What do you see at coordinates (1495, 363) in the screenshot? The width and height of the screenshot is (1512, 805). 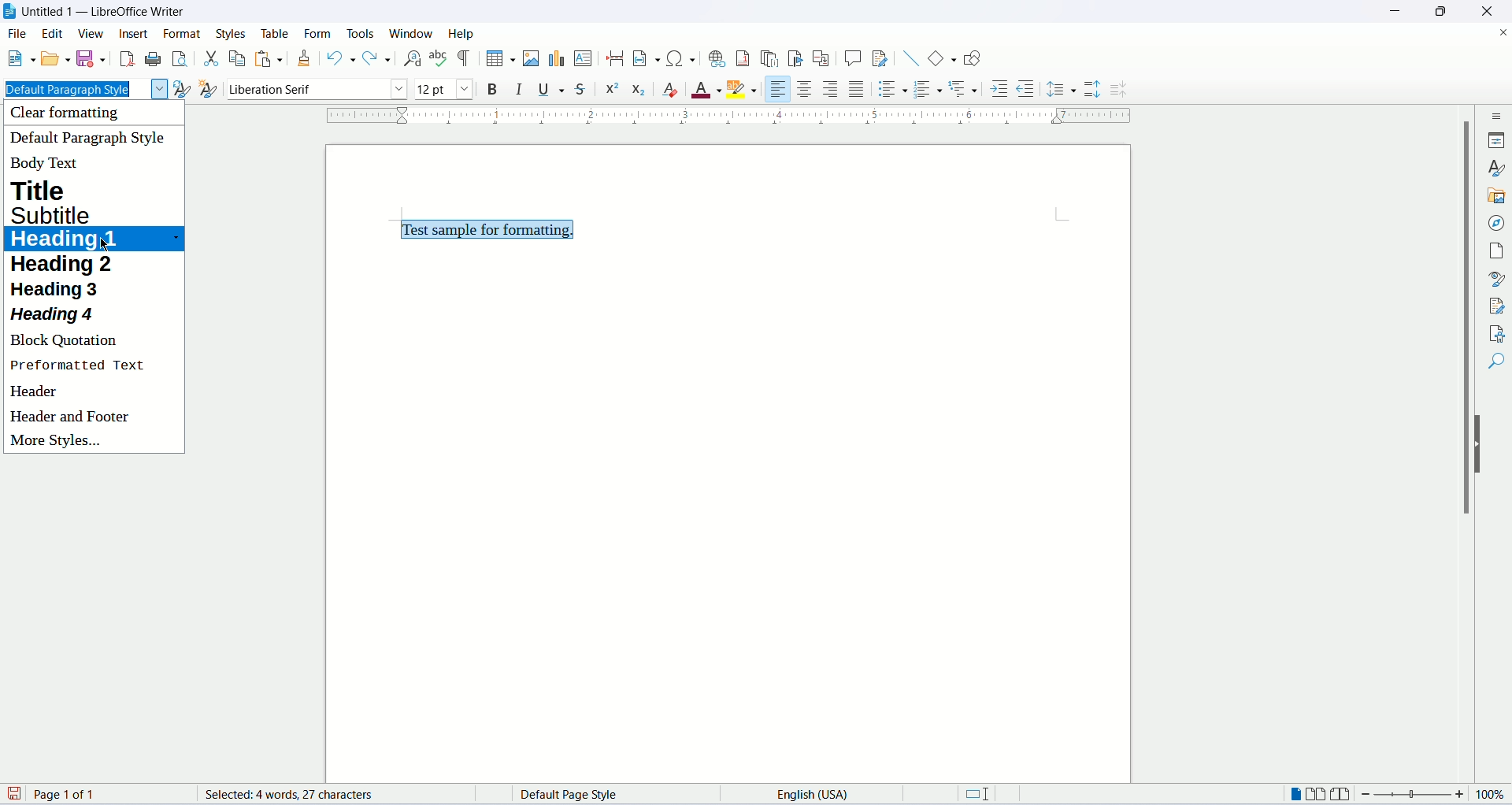 I see `find` at bounding box center [1495, 363].